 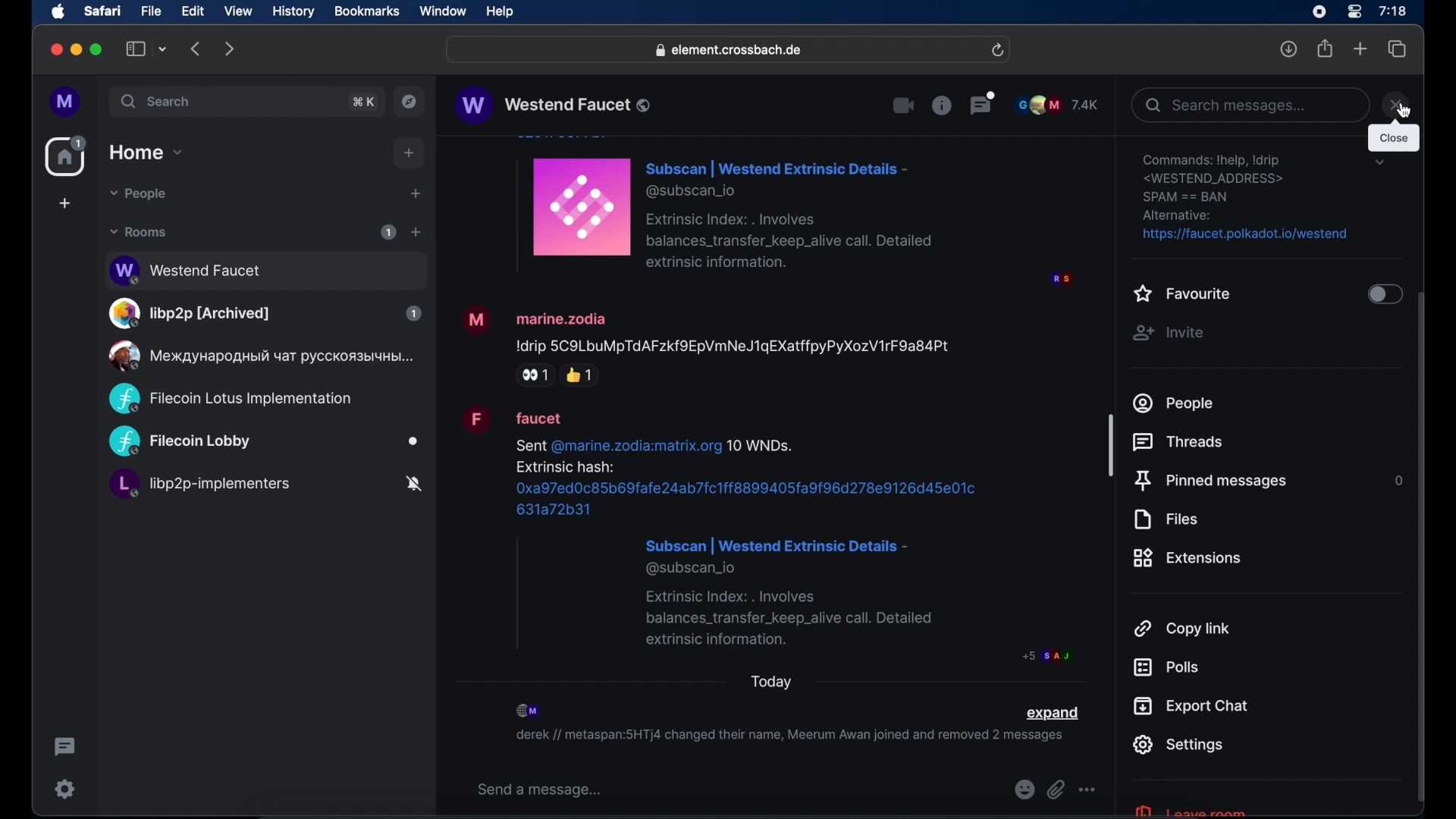 I want to click on screen recorder icon, so click(x=1319, y=12).